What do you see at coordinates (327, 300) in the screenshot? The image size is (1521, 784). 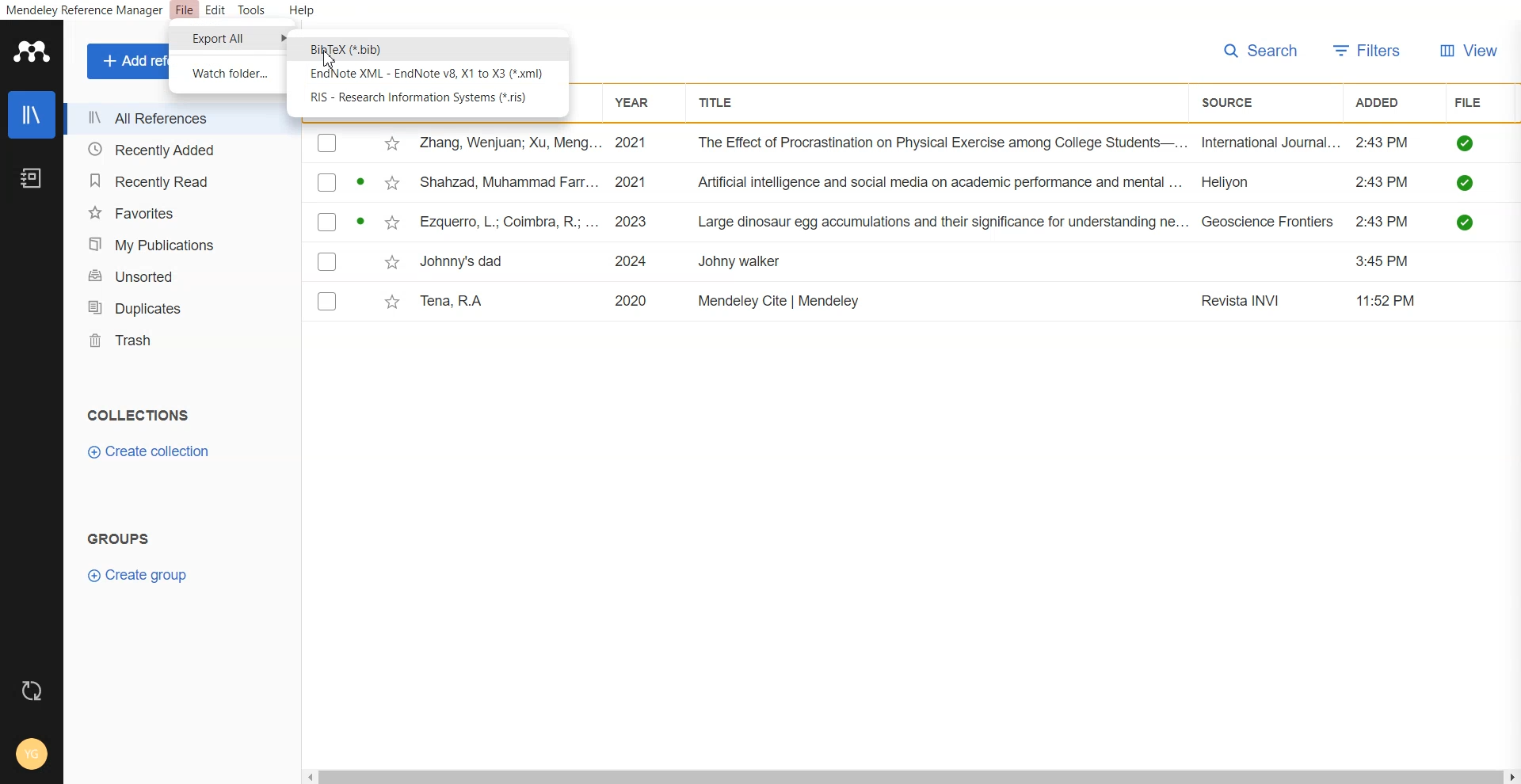 I see `checkbox` at bounding box center [327, 300].